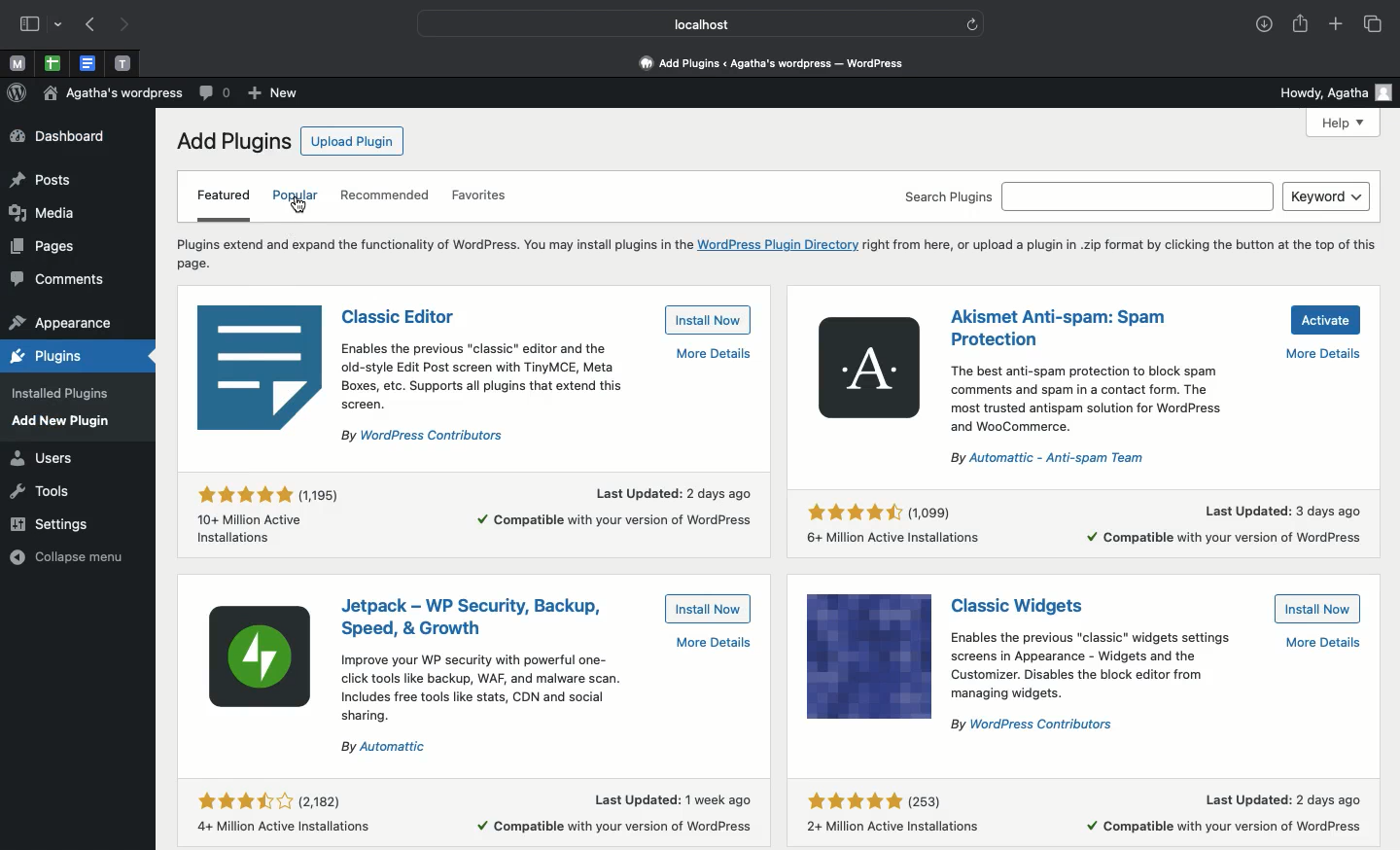 The width and height of the screenshot is (1400, 850). I want to click on appearance , so click(60, 325).